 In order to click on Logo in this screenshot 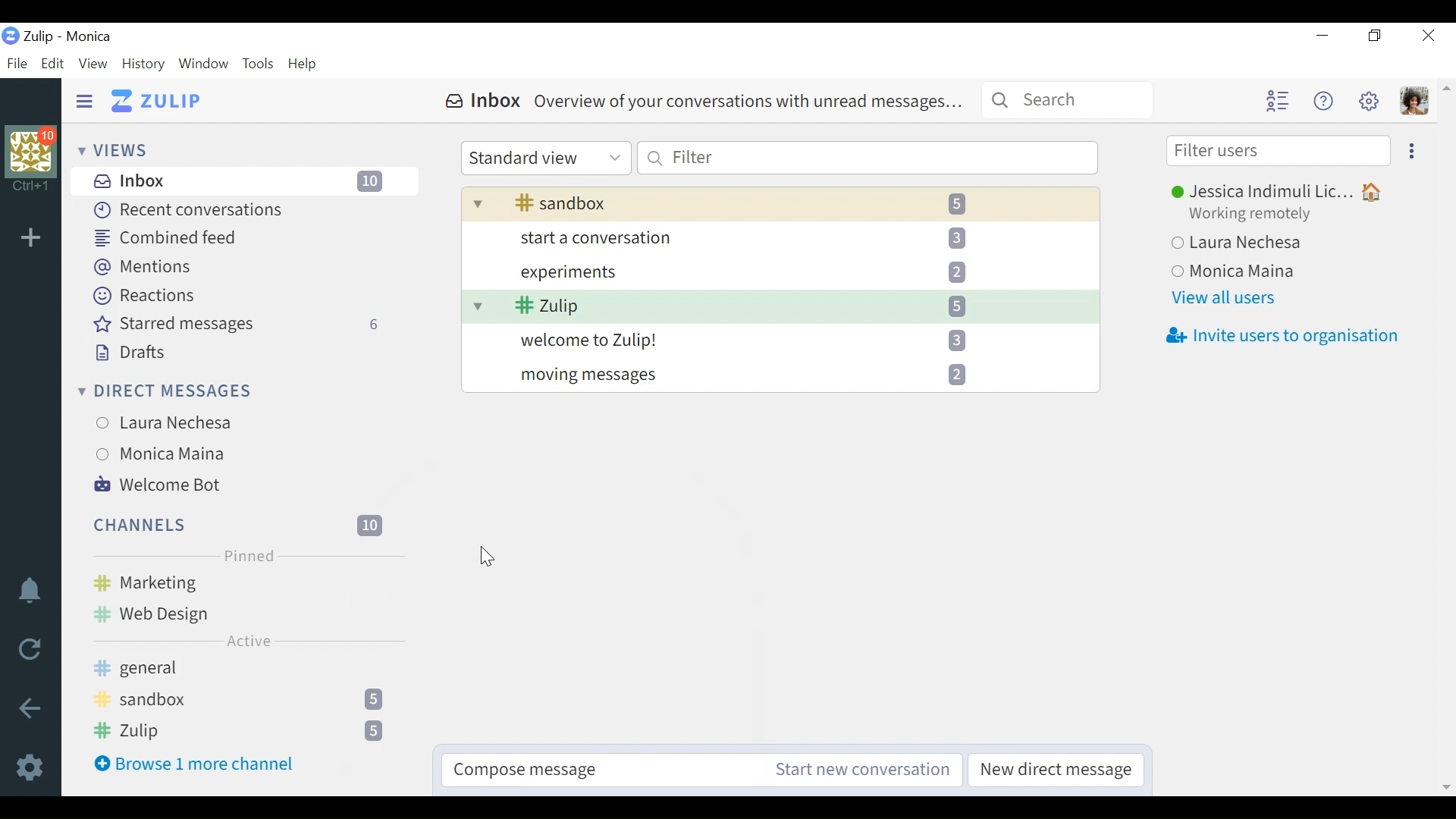, I will do `click(11, 37)`.